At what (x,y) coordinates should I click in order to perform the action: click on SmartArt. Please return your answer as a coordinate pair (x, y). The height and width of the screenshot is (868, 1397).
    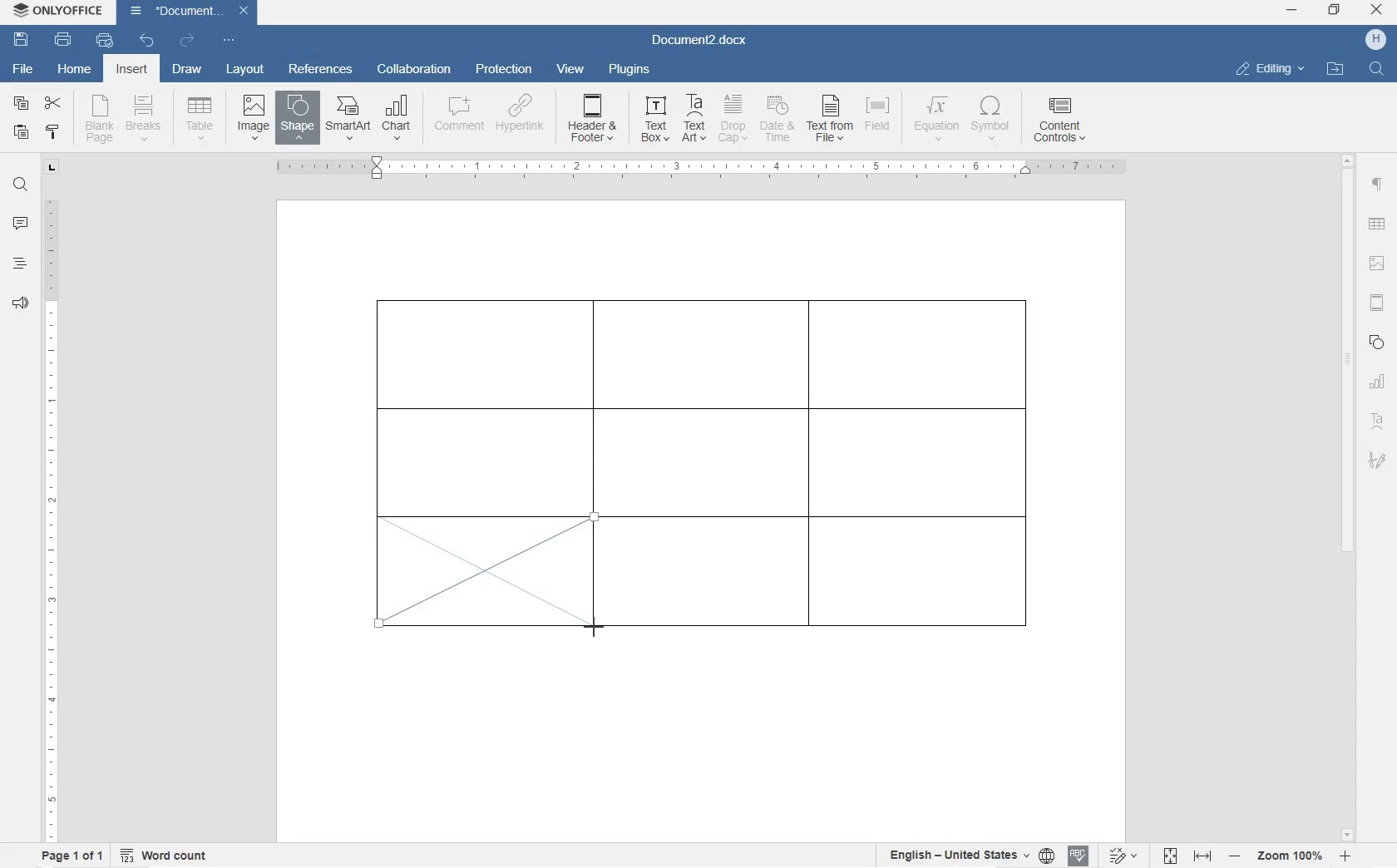
    Looking at the image, I should click on (348, 118).